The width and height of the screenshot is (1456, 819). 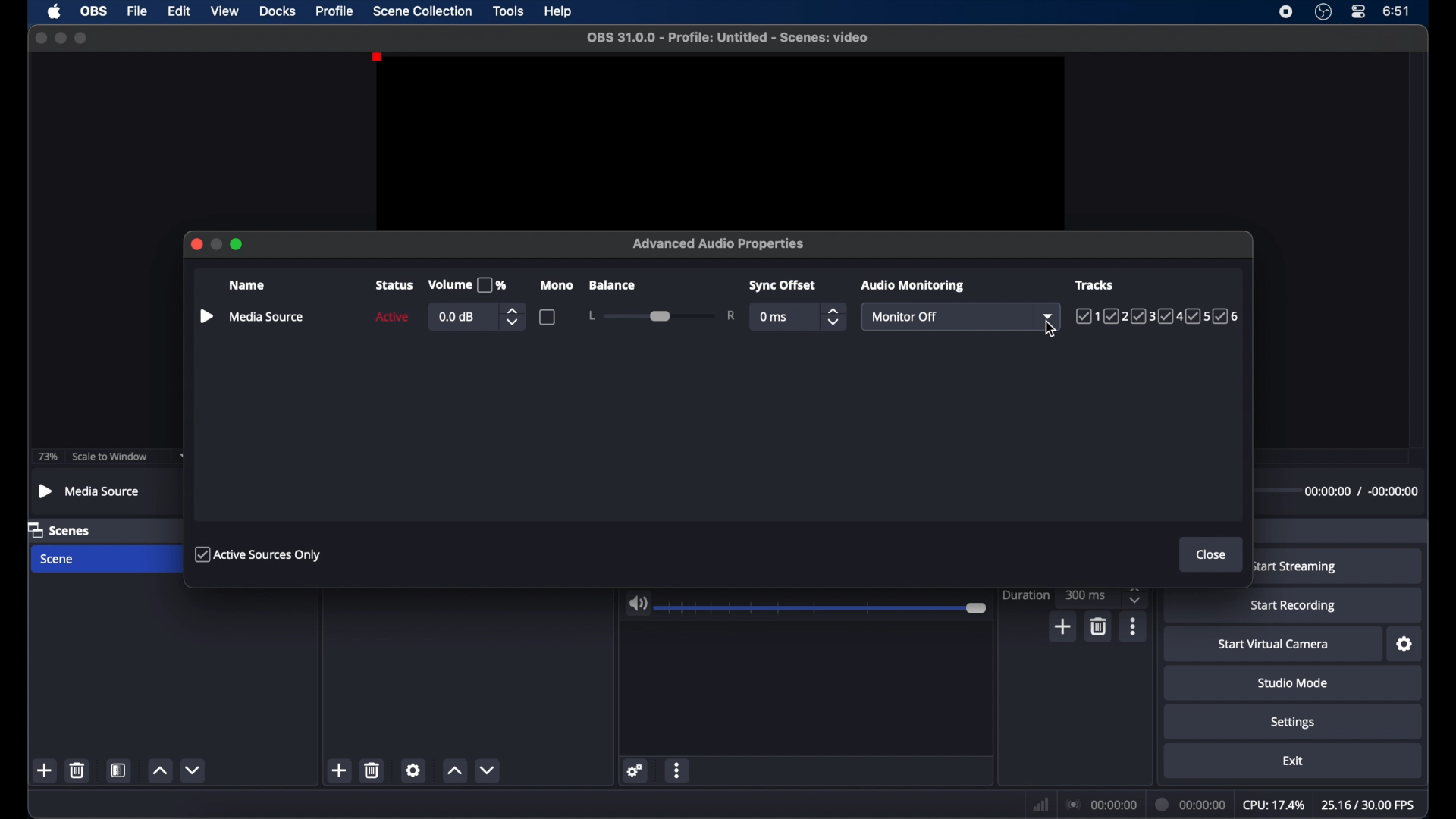 What do you see at coordinates (159, 770) in the screenshot?
I see `increment` at bounding box center [159, 770].